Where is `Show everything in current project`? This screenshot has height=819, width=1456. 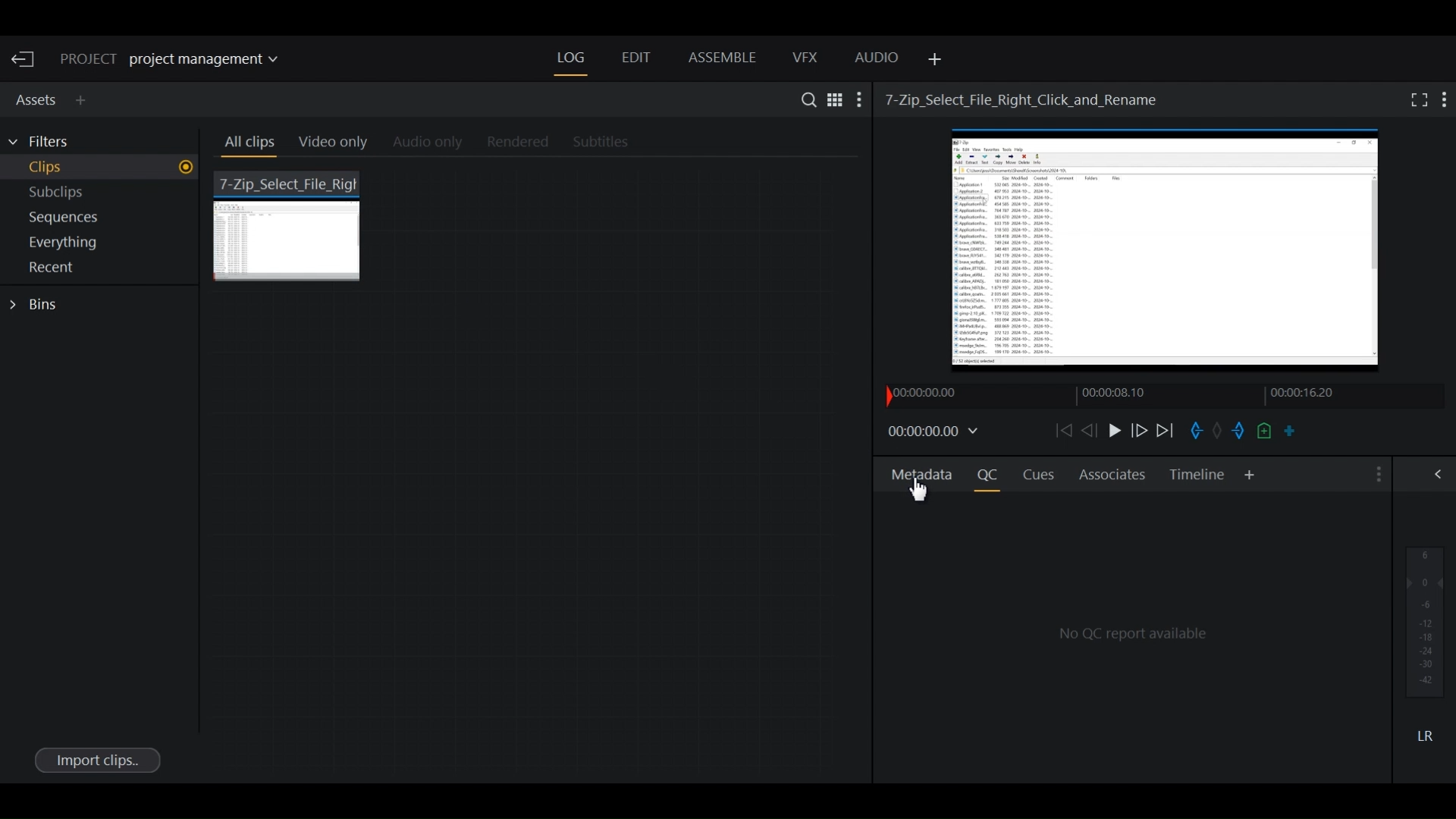 Show everything in current project is located at coordinates (103, 244).